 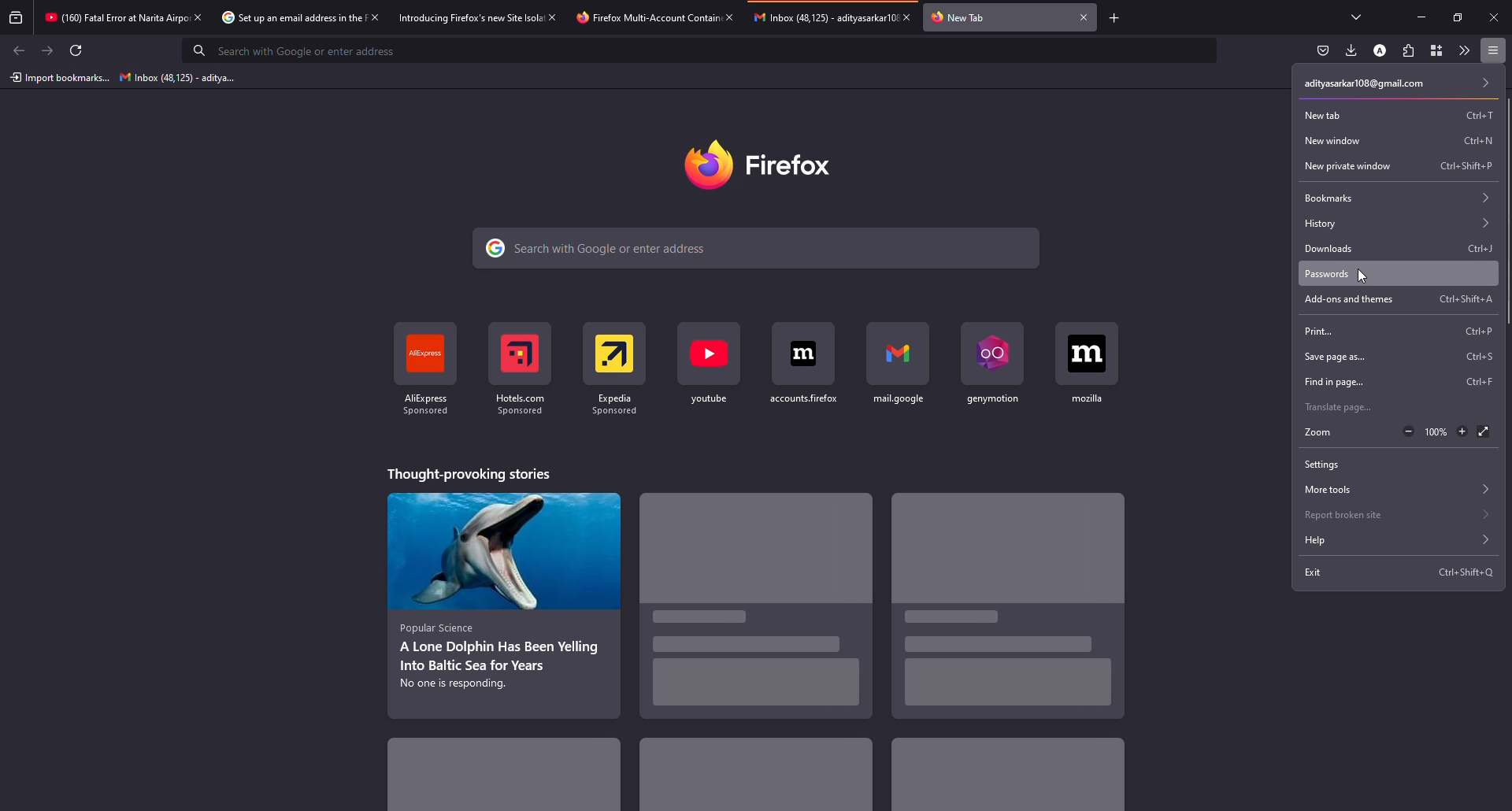 What do you see at coordinates (766, 614) in the screenshot?
I see `stories` at bounding box center [766, 614].